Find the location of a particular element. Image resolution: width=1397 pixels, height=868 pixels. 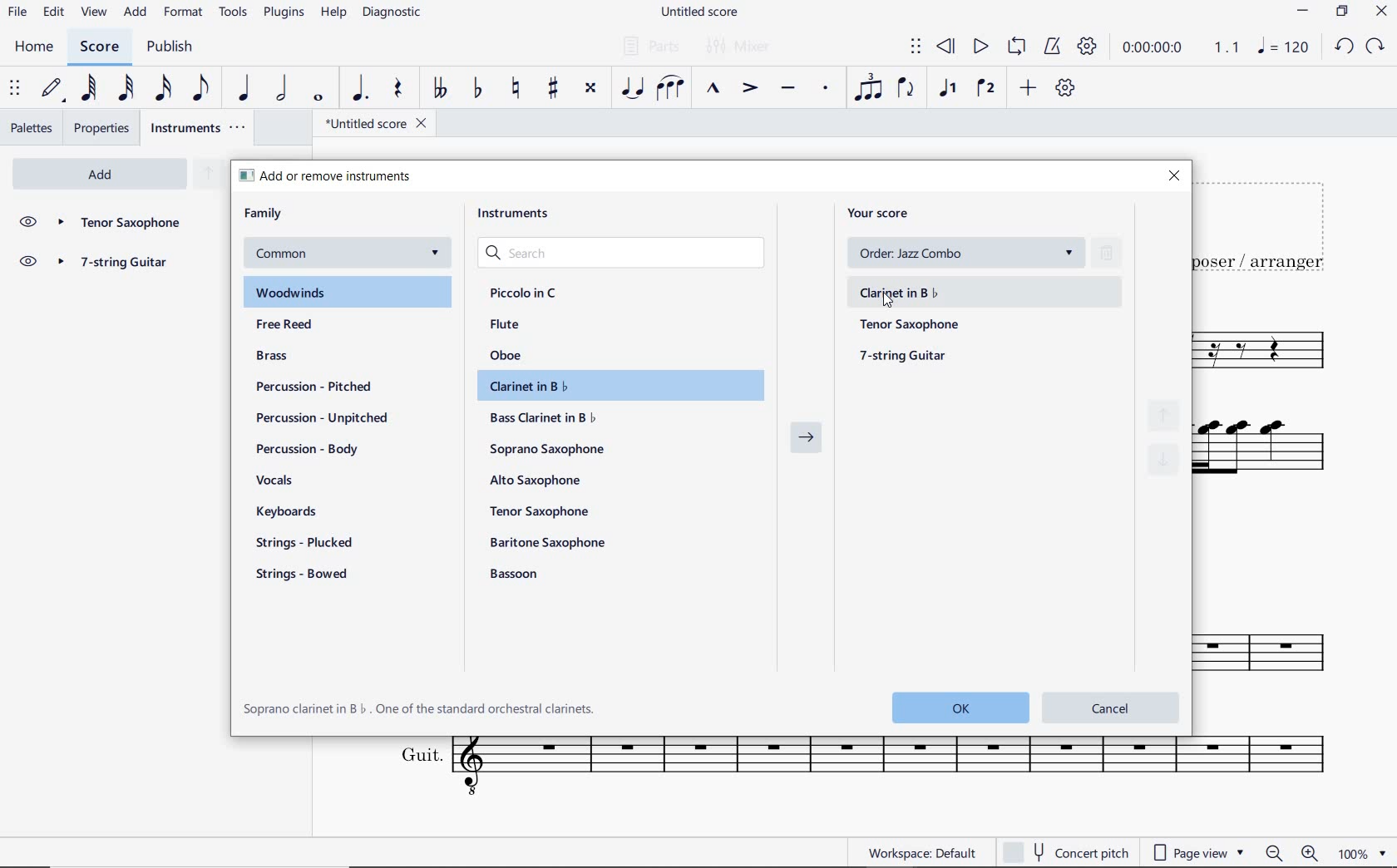

7 string guitar is located at coordinates (120, 264).